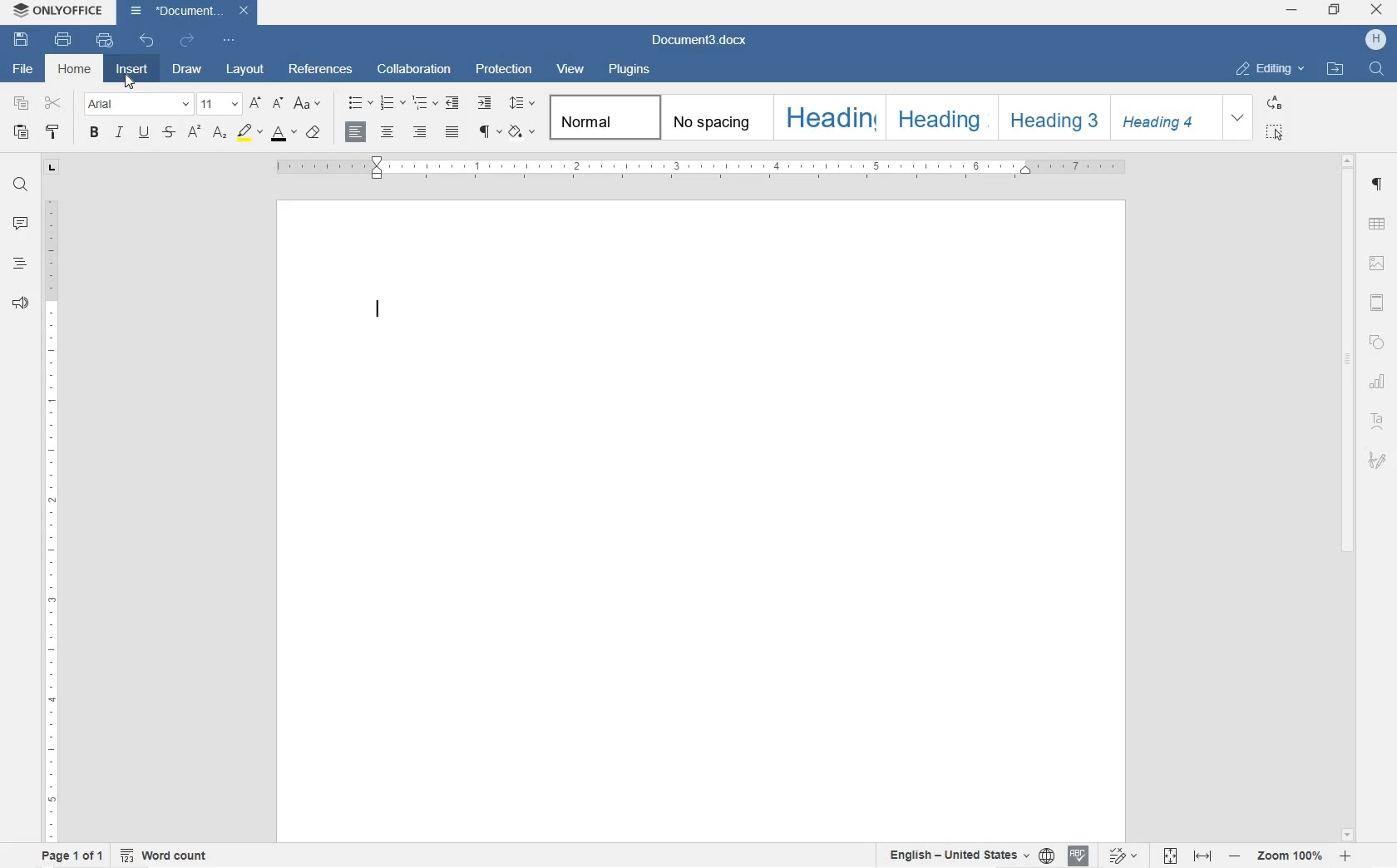 Image resolution: width=1397 pixels, height=868 pixels. Describe the element at coordinates (1380, 186) in the screenshot. I see `PARAGRAPH SETTINGS` at that location.